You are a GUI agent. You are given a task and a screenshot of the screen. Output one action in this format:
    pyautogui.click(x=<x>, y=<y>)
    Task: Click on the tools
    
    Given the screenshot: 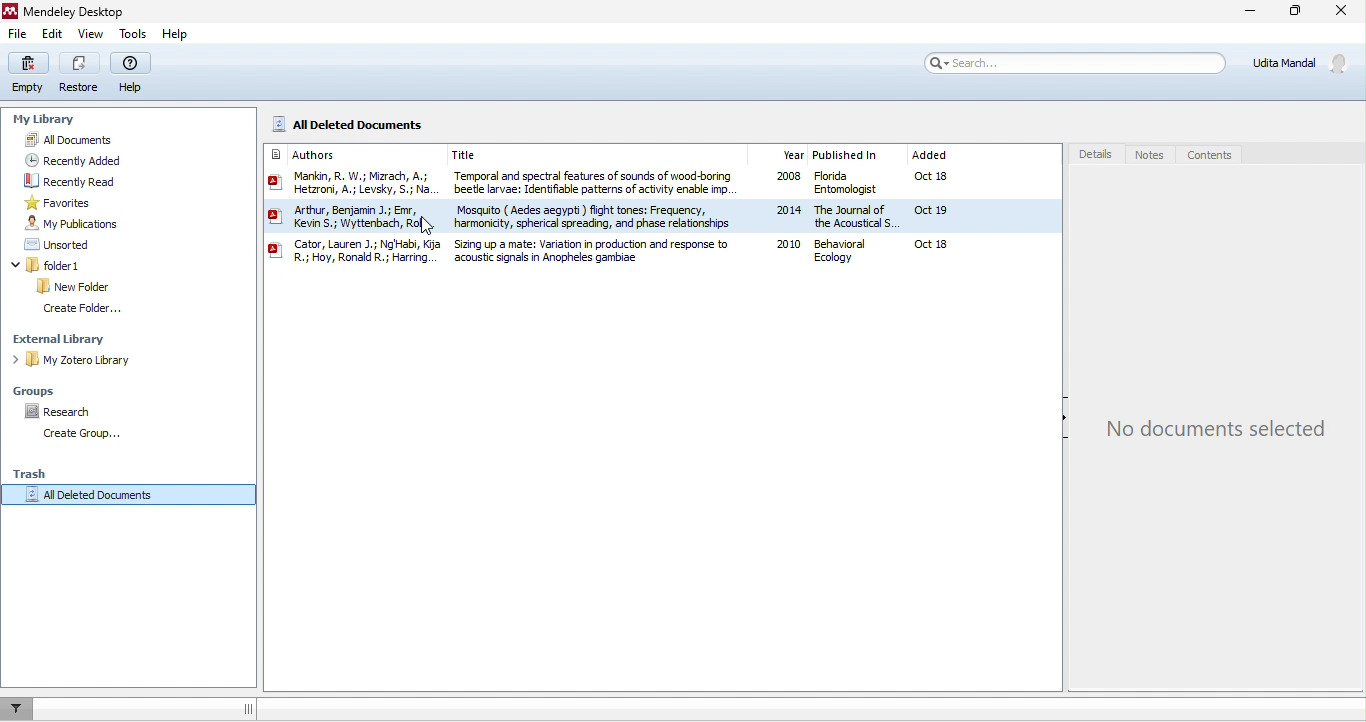 What is the action you would take?
    pyautogui.click(x=137, y=34)
    